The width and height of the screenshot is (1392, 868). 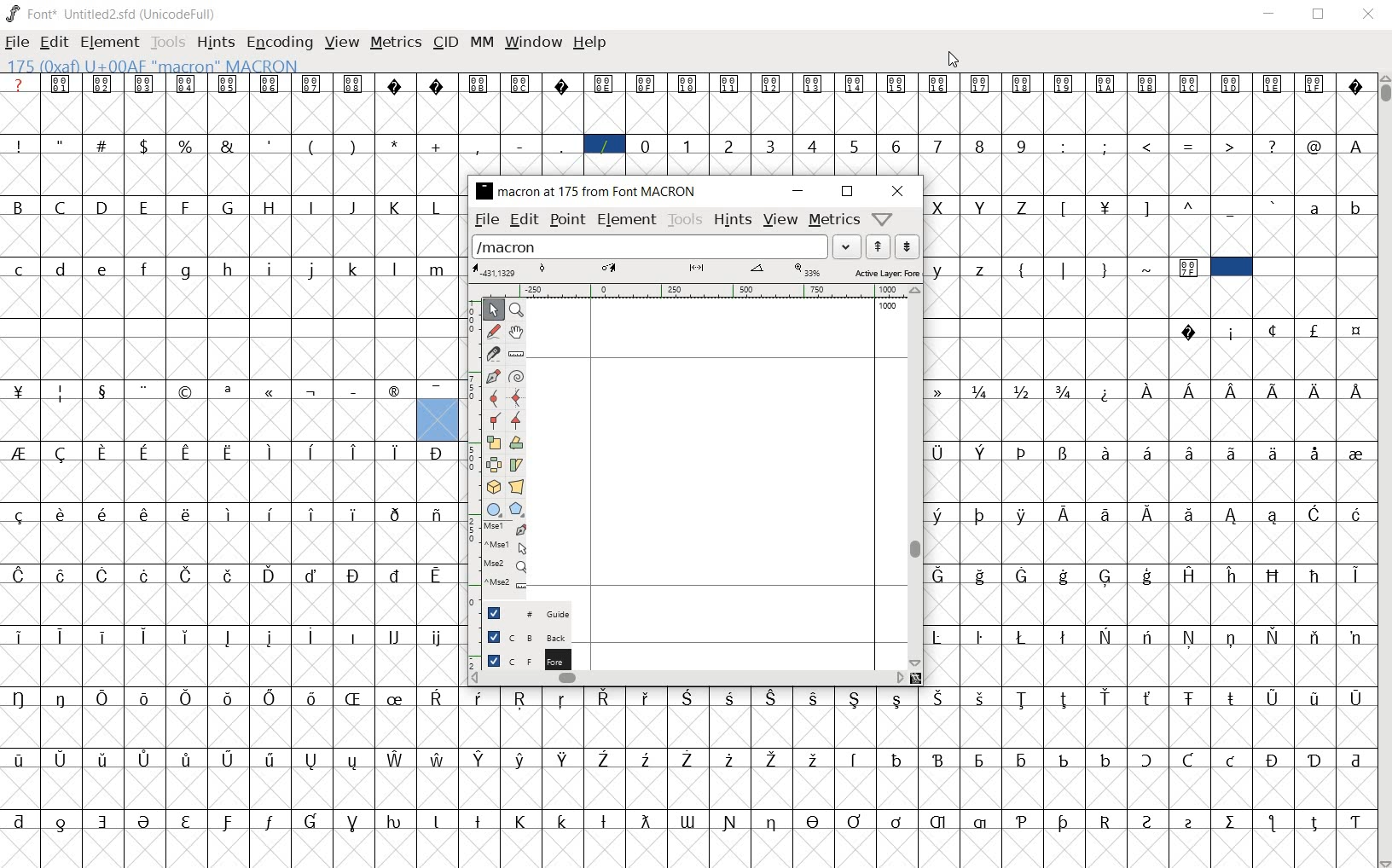 I want to click on Symbol, so click(x=397, y=759).